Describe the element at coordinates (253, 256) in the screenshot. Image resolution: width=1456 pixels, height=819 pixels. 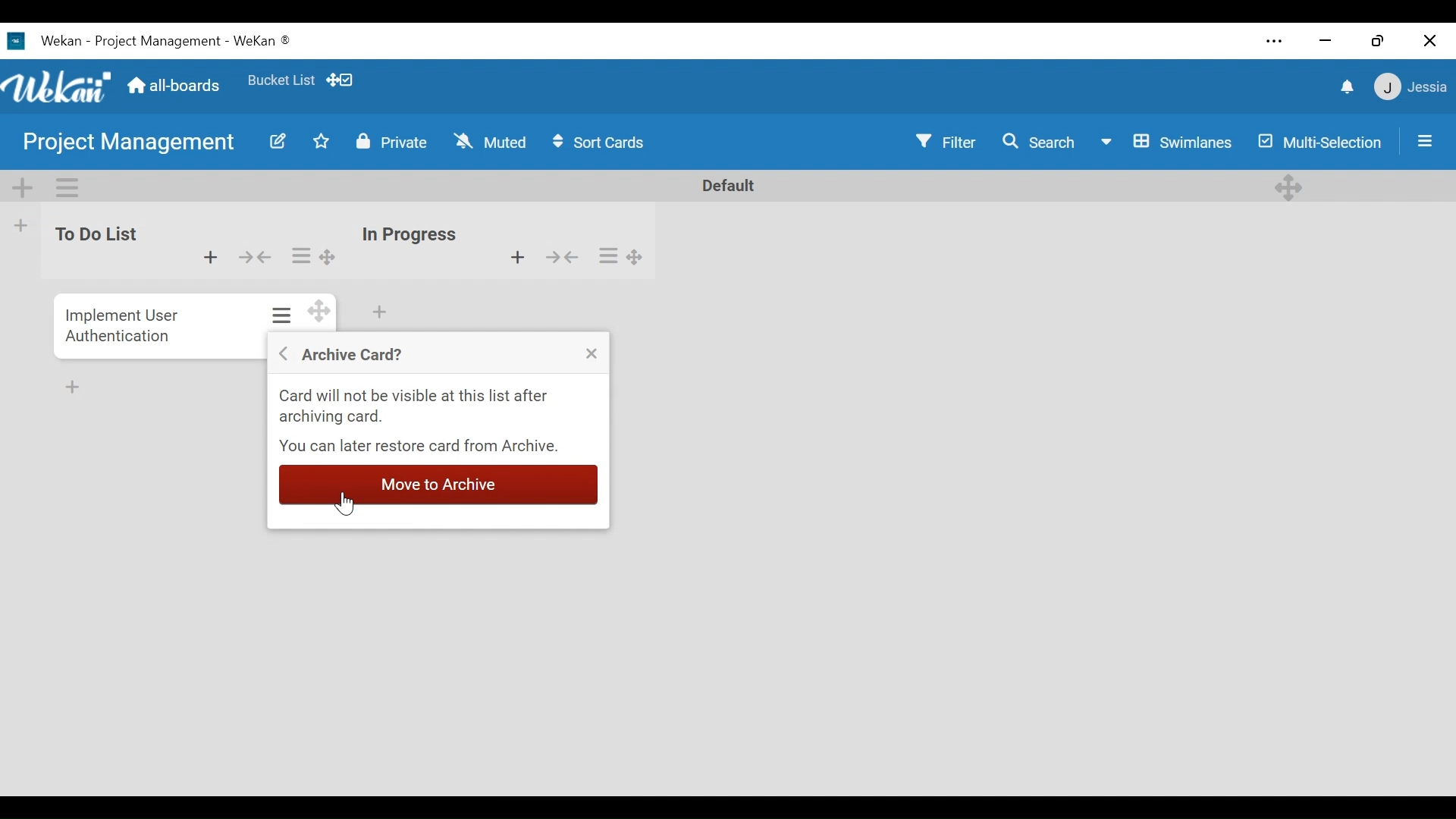
I see `hide/show` at that location.